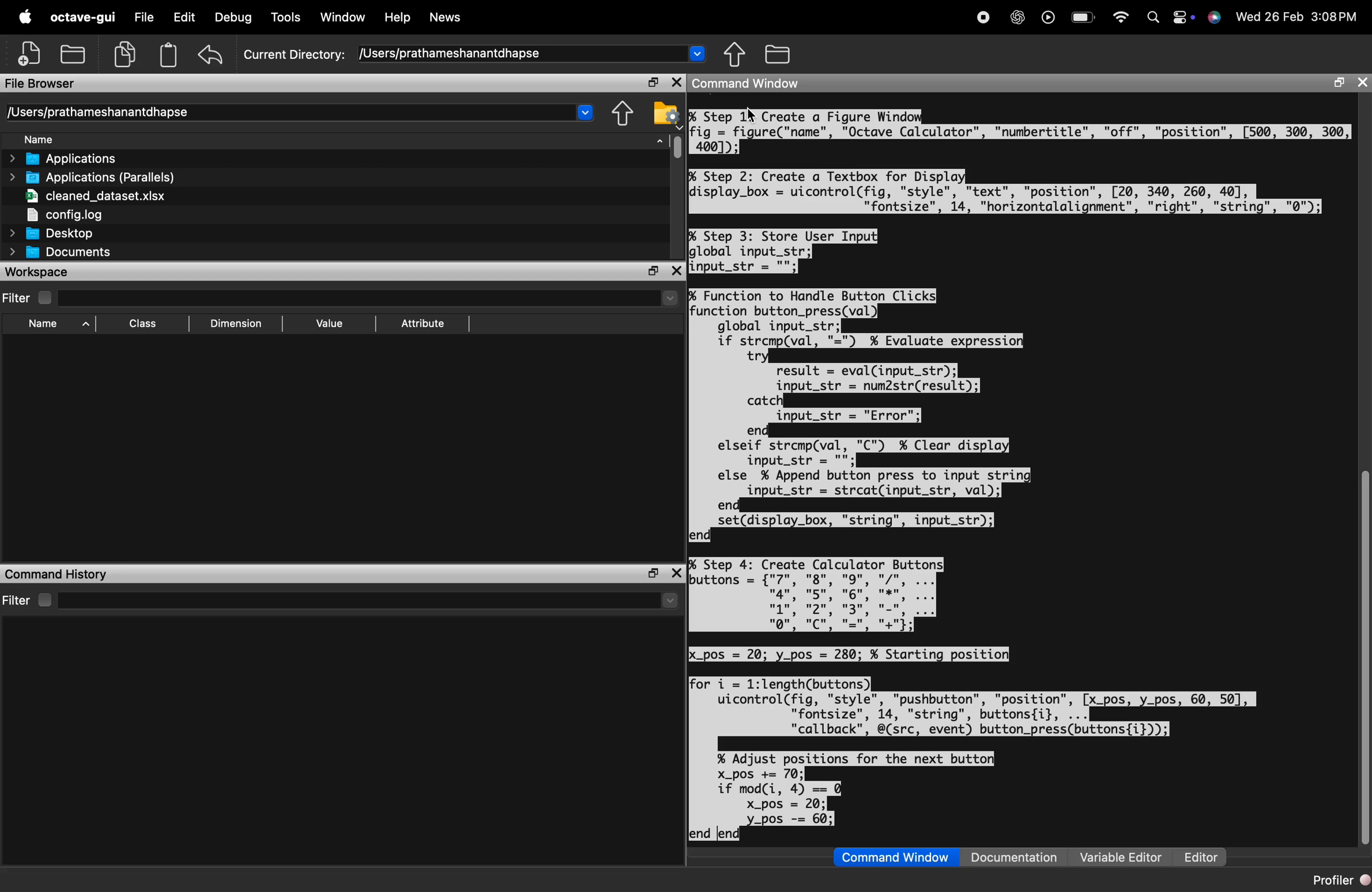 Image resolution: width=1372 pixels, height=892 pixels. I want to click on maxiimize, so click(652, 271).